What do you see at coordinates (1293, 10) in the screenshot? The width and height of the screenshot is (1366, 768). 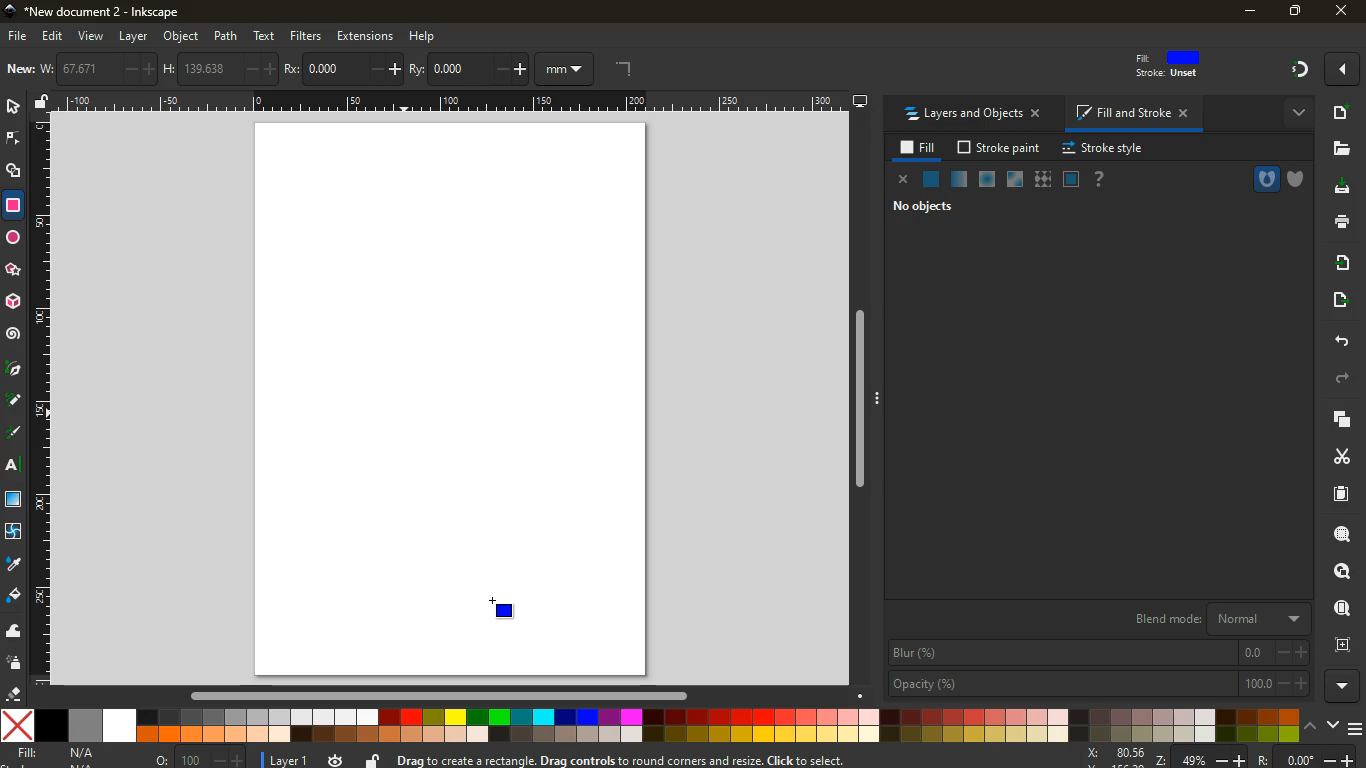 I see `maximize` at bounding box center [1293, 10].